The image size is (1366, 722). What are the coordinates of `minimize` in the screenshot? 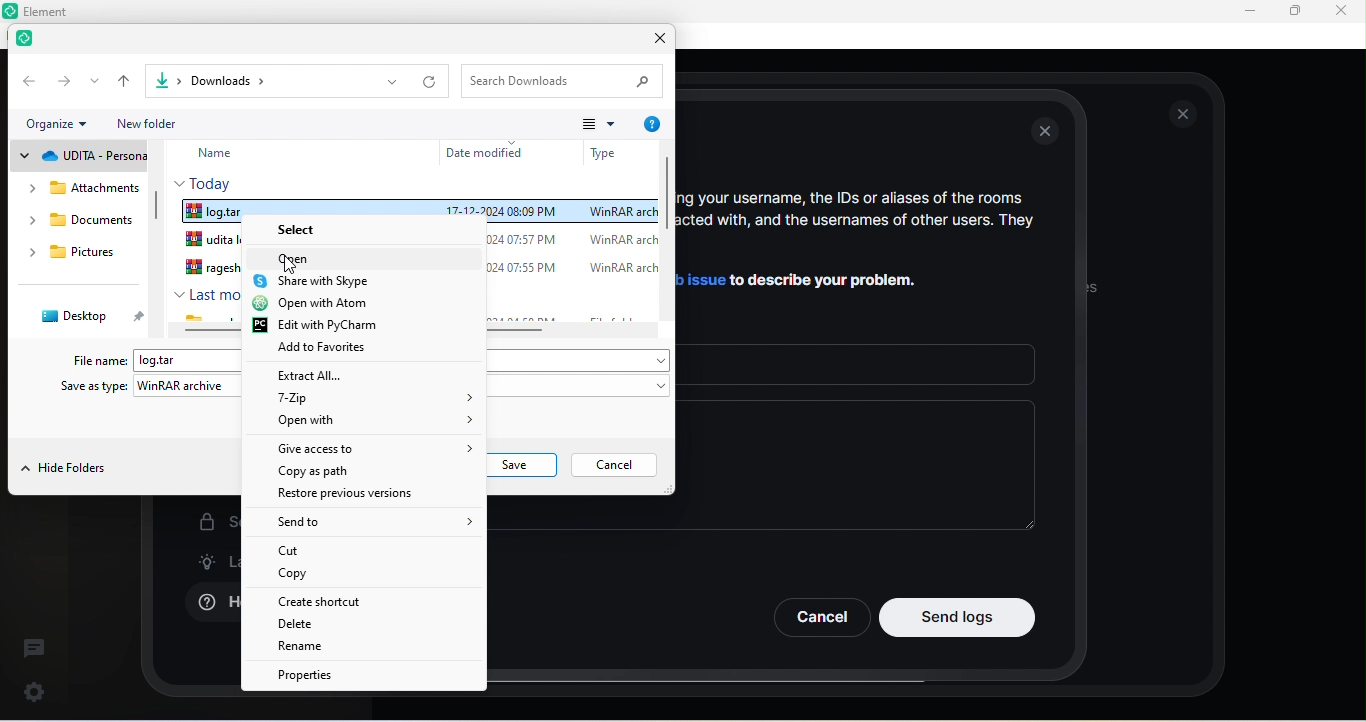 It's located at (1246, 12).